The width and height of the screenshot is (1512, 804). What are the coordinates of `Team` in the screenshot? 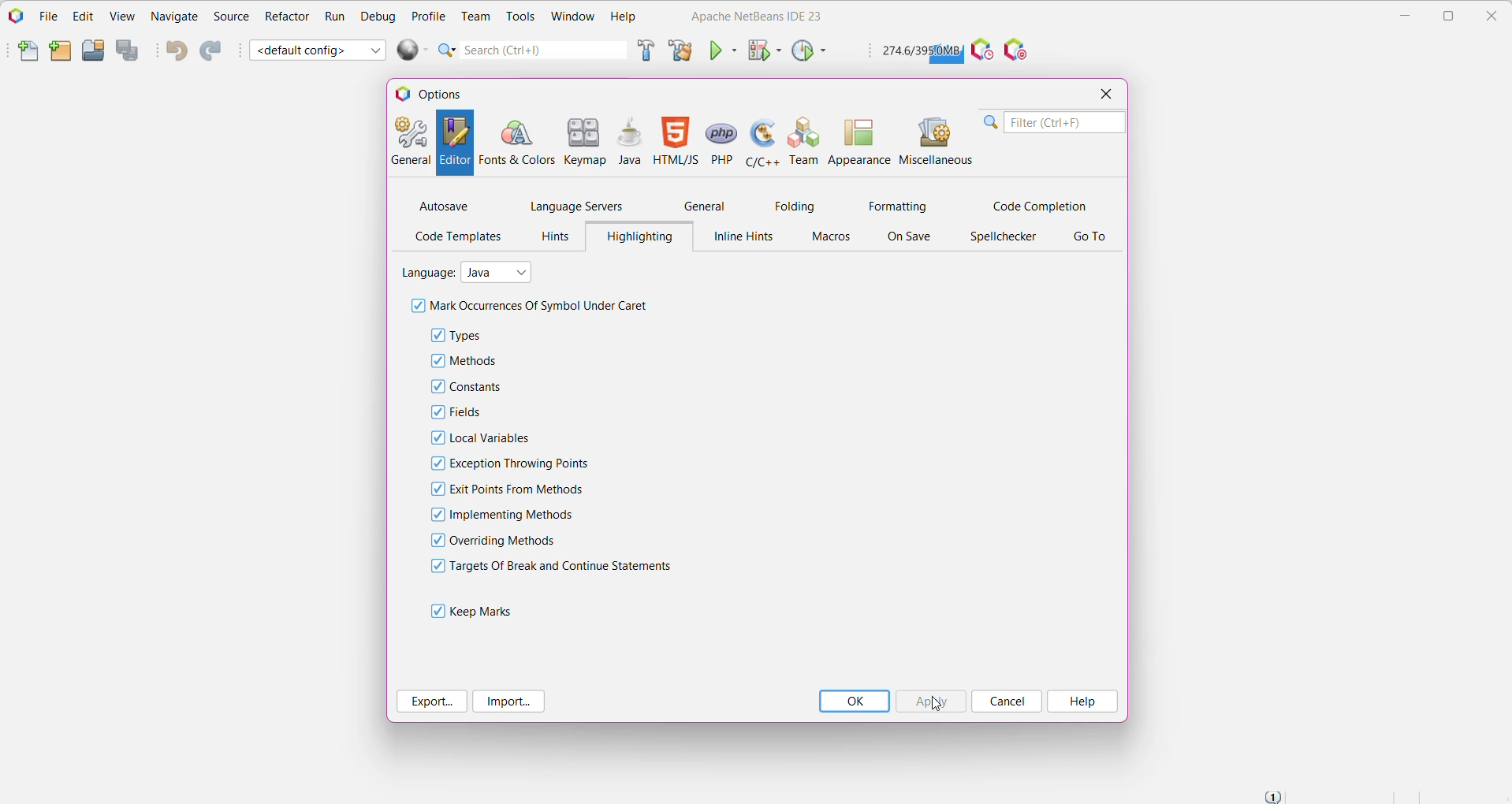 It's located at (474, 16).